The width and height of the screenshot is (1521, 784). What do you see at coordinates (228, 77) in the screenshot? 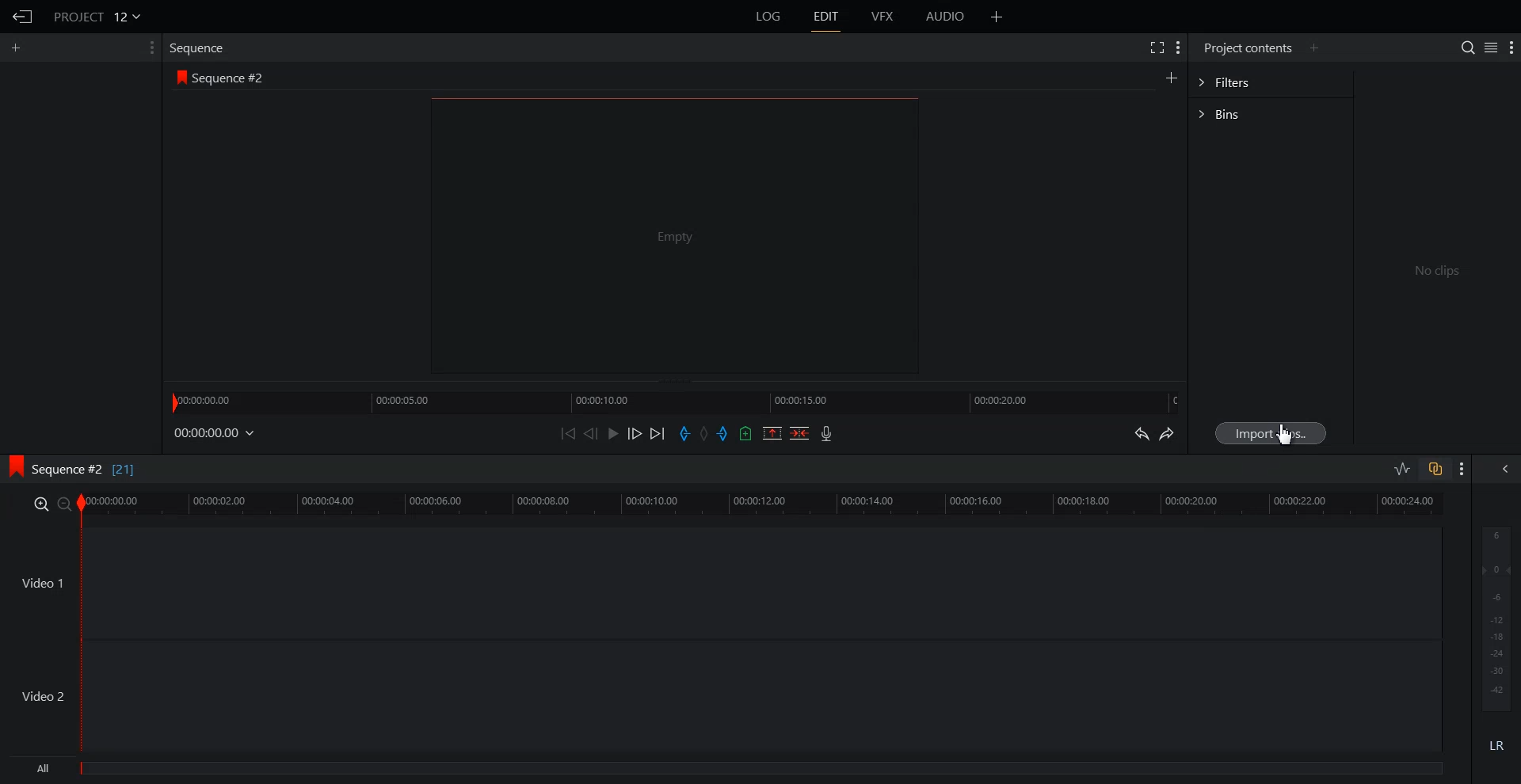
I see `Sequence #2` at bounding box center [228, 77].